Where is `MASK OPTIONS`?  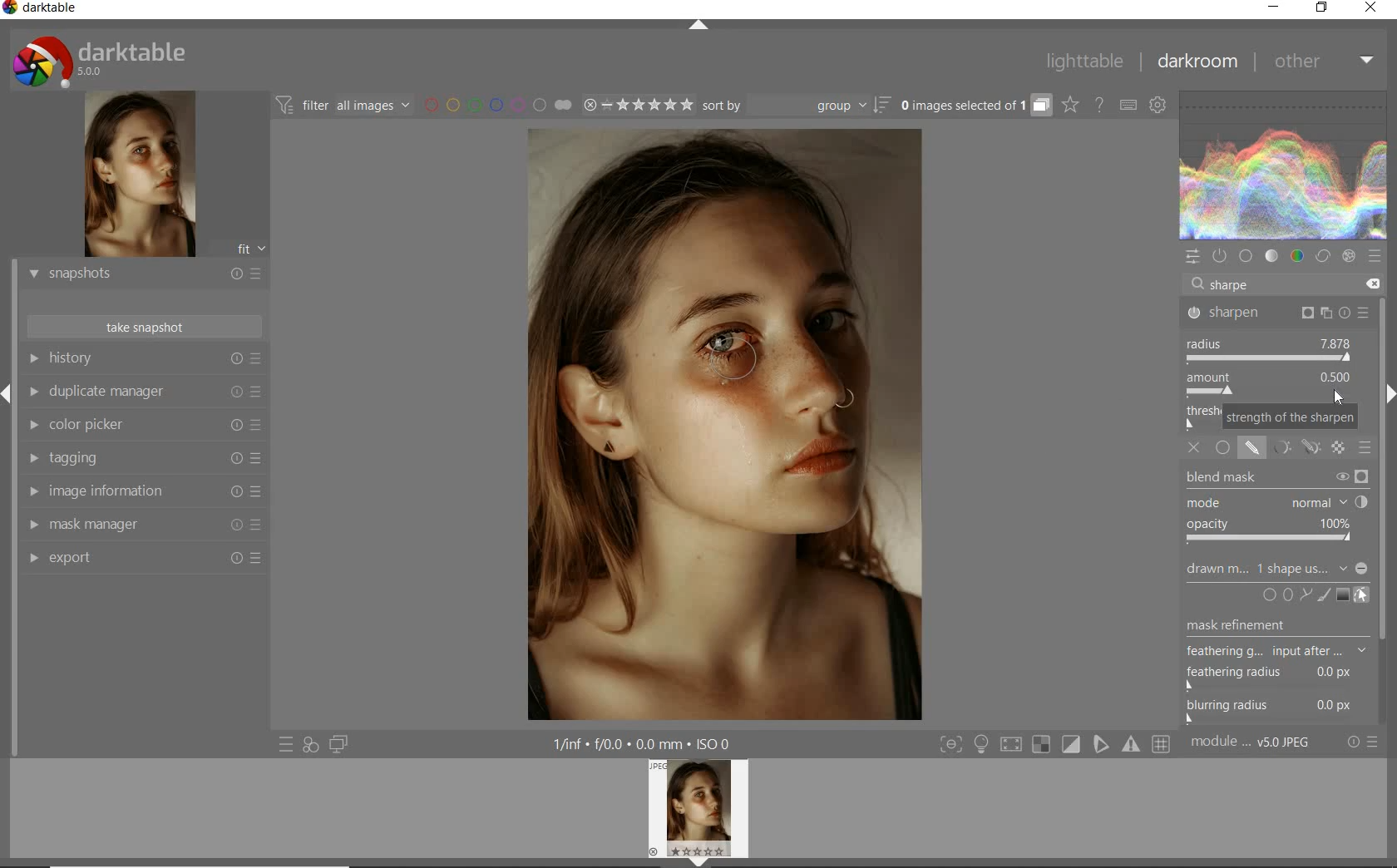
MASK OPTIONS is located at coordinates (1292, 453).